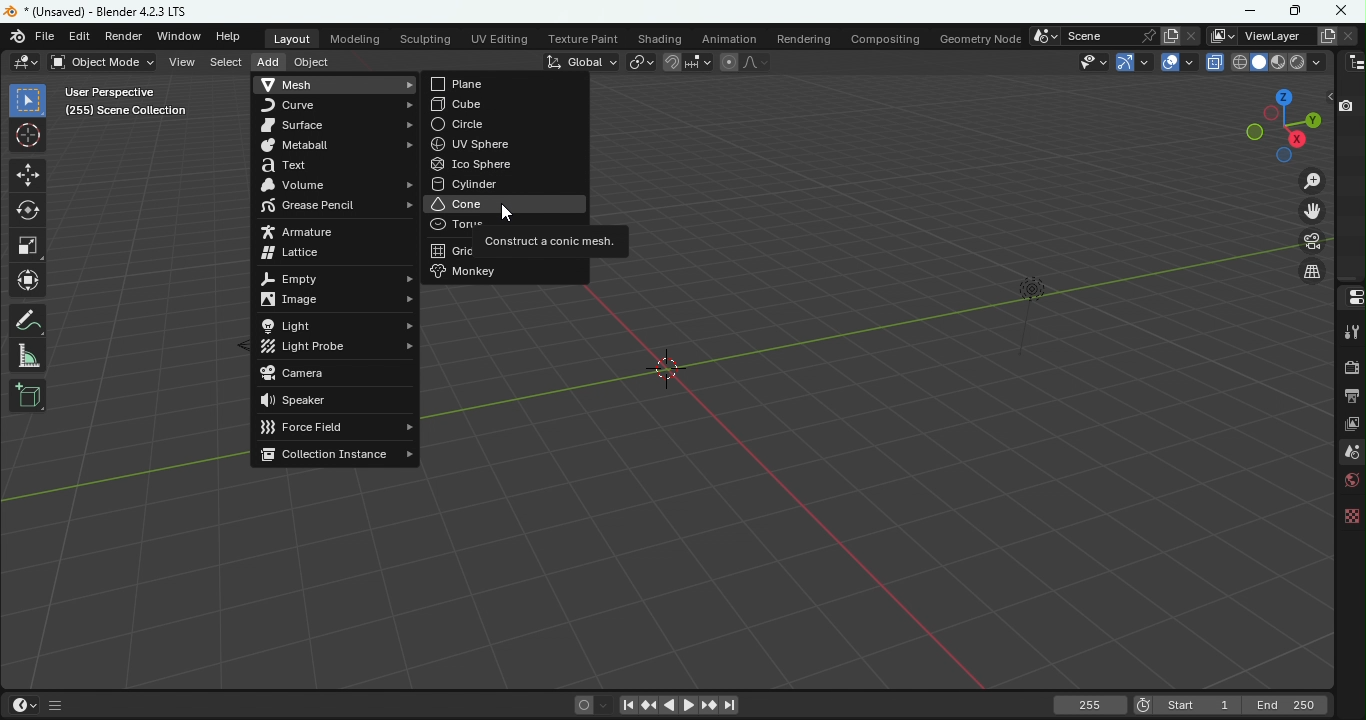 The width and height of the screenshot is (1366, 720). What do you see at coordinates (1125, 63) in the screenshot?
I see `Show Gizmo` at bounding box center [1125, 63].